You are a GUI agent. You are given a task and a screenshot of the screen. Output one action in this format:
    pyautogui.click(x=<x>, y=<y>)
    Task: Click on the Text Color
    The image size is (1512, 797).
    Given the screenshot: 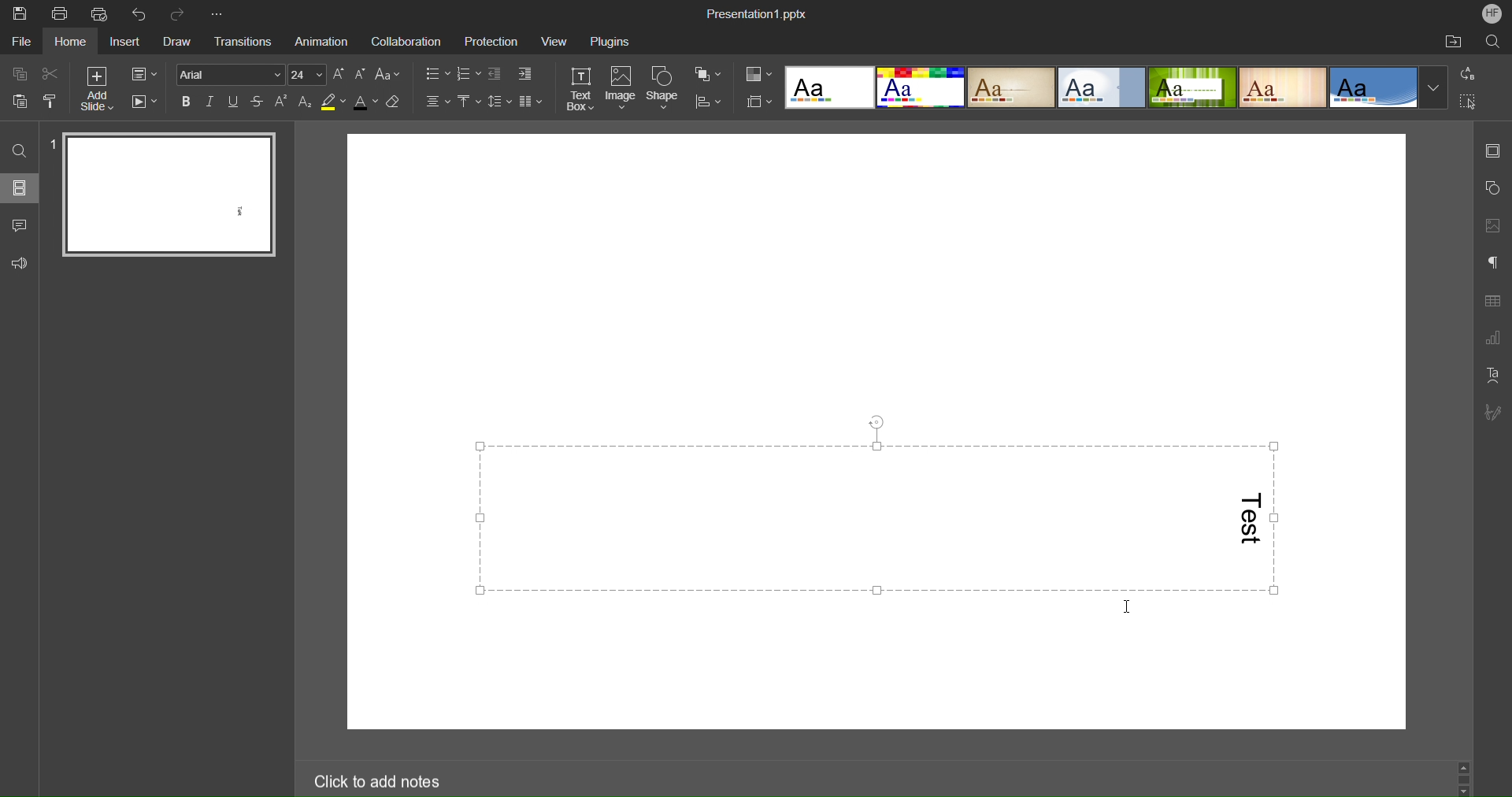 What is the action you would take?
    pyautogui.click(x=366, y=102)
    